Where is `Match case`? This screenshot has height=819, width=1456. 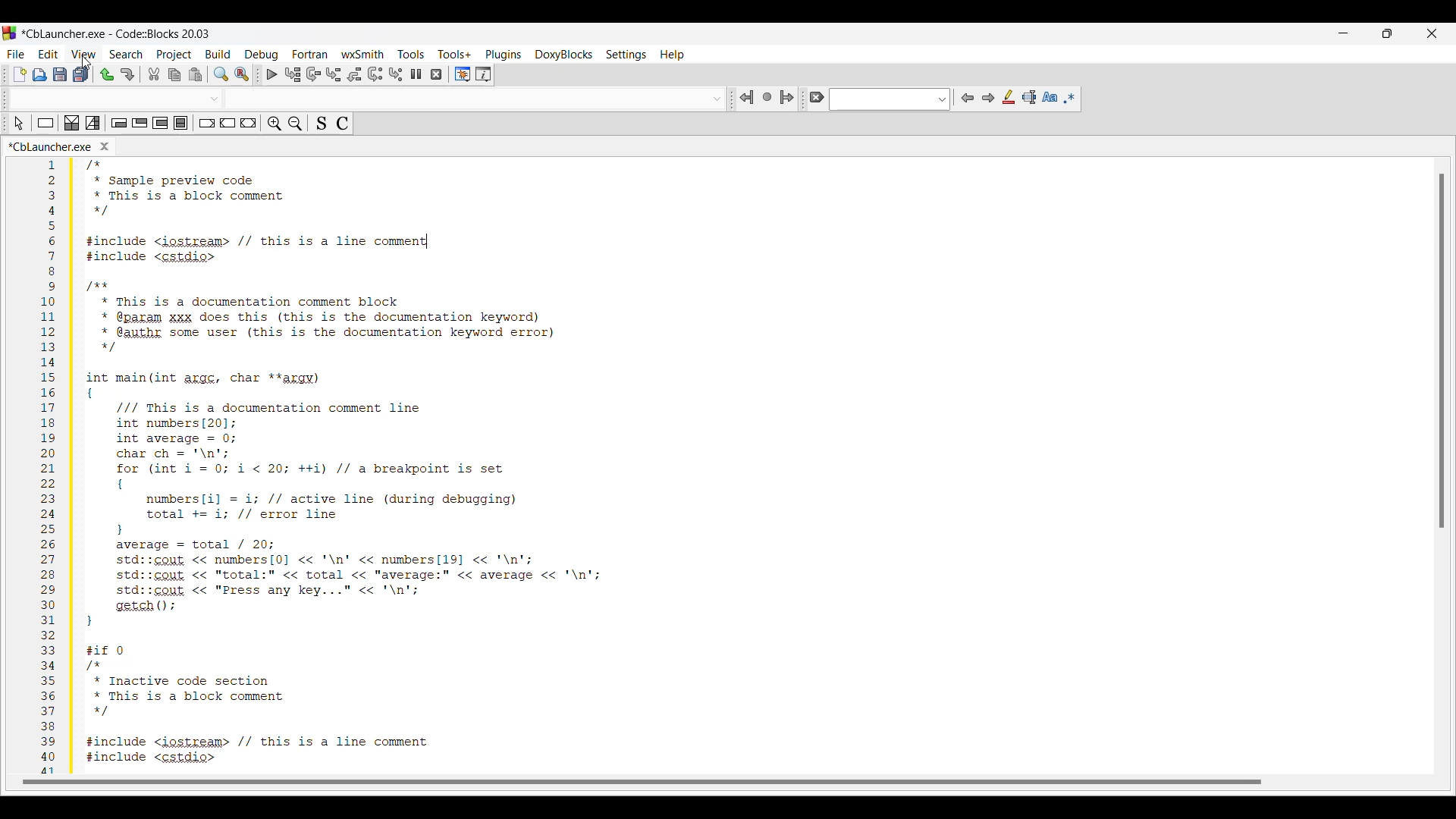 Match case is located at coordinates (1050, 97).